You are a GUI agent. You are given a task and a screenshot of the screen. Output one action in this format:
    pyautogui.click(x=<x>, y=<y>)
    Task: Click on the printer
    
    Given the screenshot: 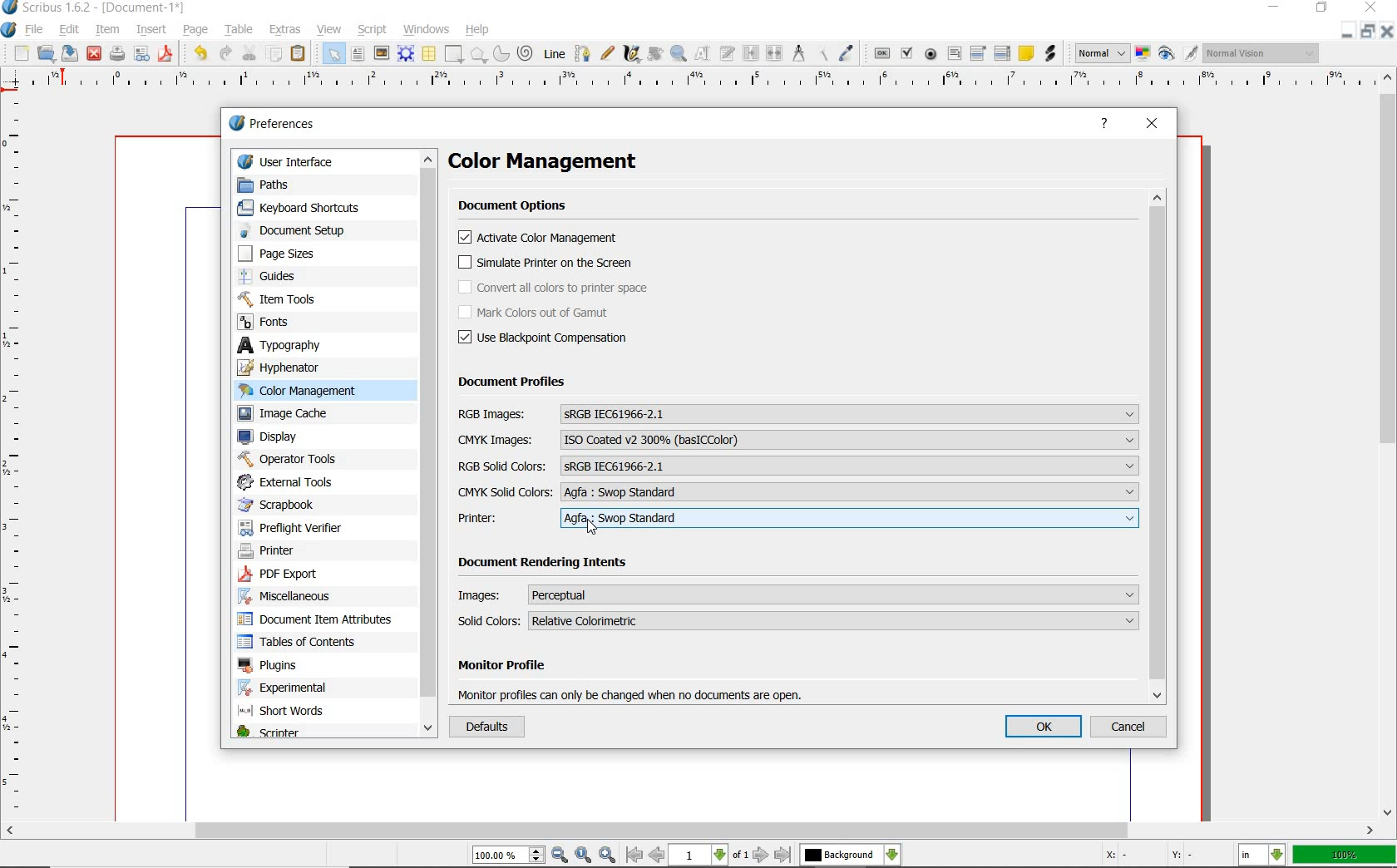 What is the action you would take?
    pyautogui.click(x=284, y=552)
    